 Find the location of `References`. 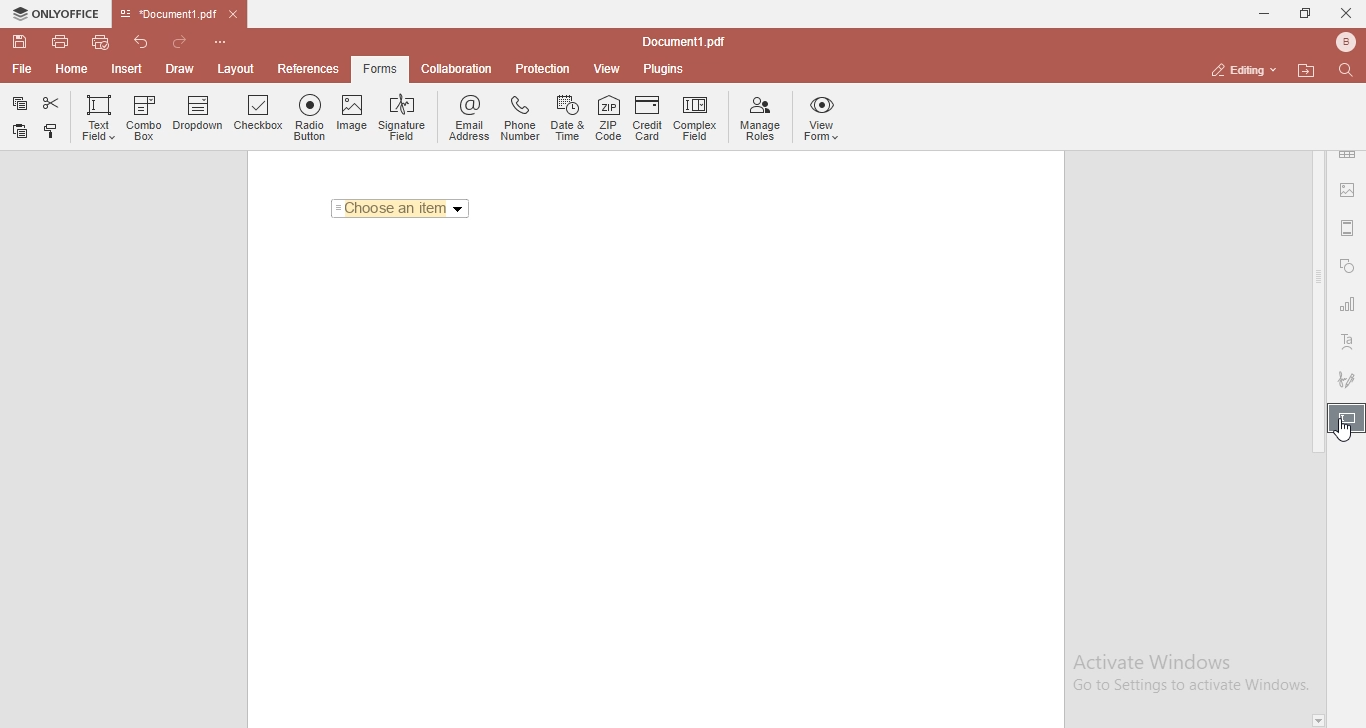

References is located at coordinates (306, 69).